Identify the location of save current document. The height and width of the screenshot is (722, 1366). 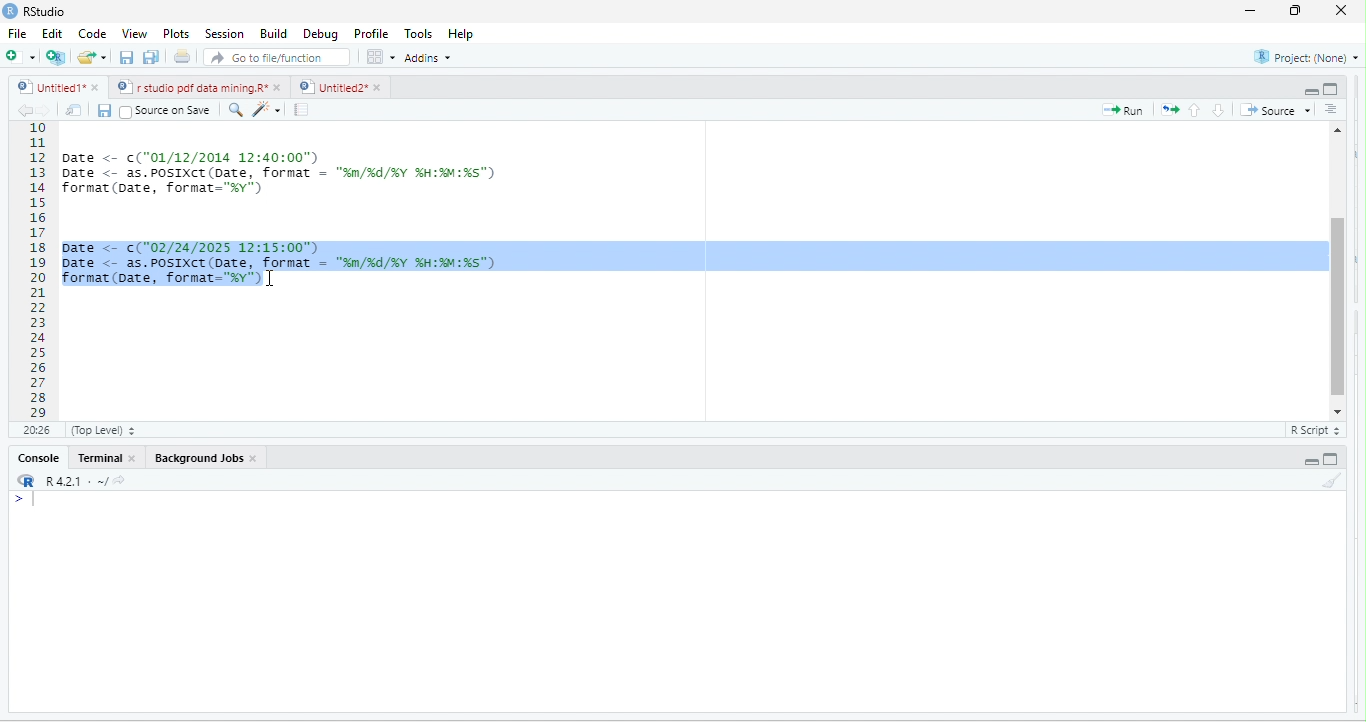
(125, 60).